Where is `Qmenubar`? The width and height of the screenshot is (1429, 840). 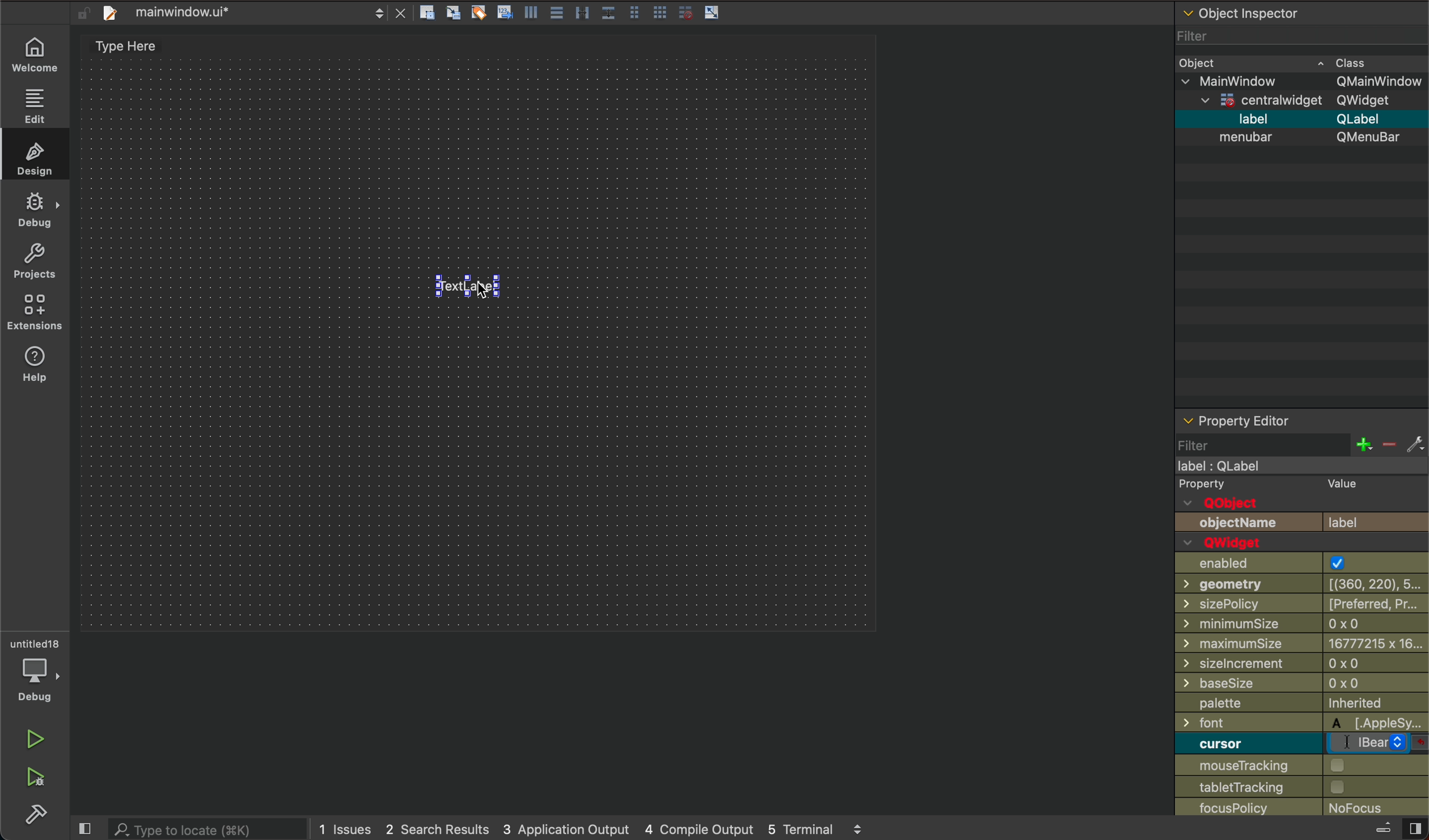 Qmenubar is located at coordinates (1368, 140).